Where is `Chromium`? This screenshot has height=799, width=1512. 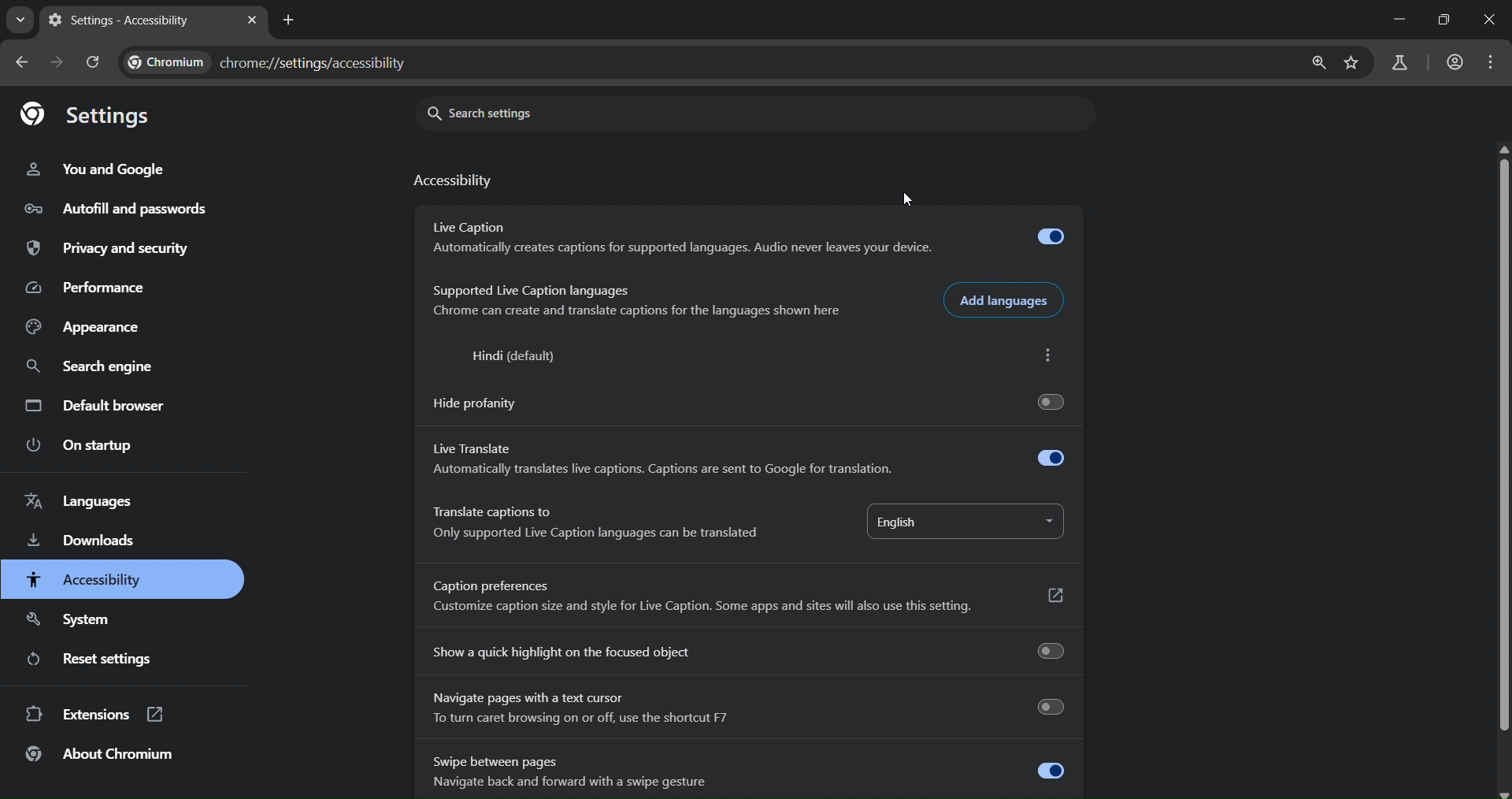 Chromium is located at coordinates (164, 60).